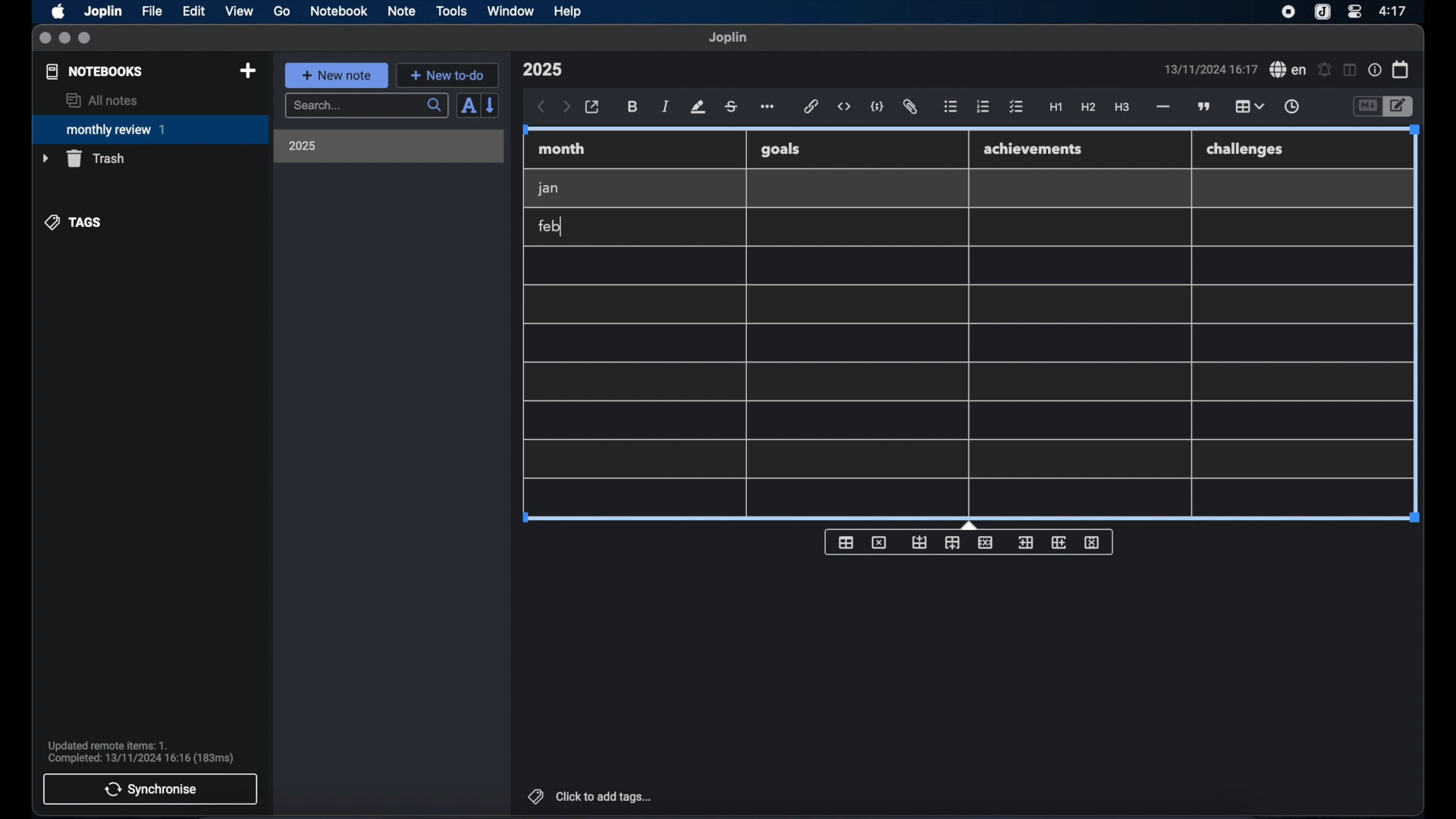 This screenshot has width=1456, height=819. I want to click on insert row before, so click(920, 543).